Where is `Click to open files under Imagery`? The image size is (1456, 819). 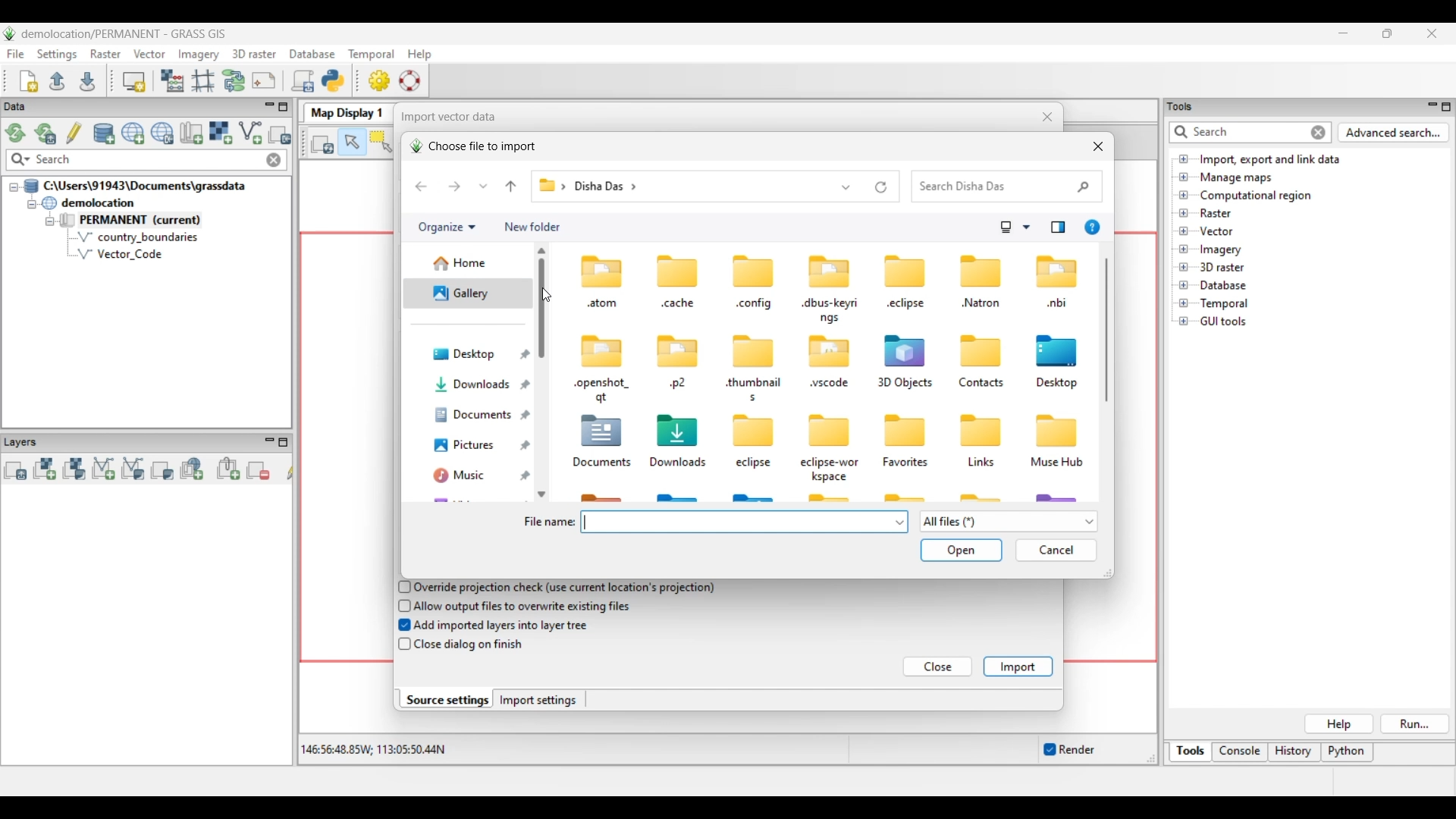
Click to open files under Imagery is located at coordinates (1183, 249).